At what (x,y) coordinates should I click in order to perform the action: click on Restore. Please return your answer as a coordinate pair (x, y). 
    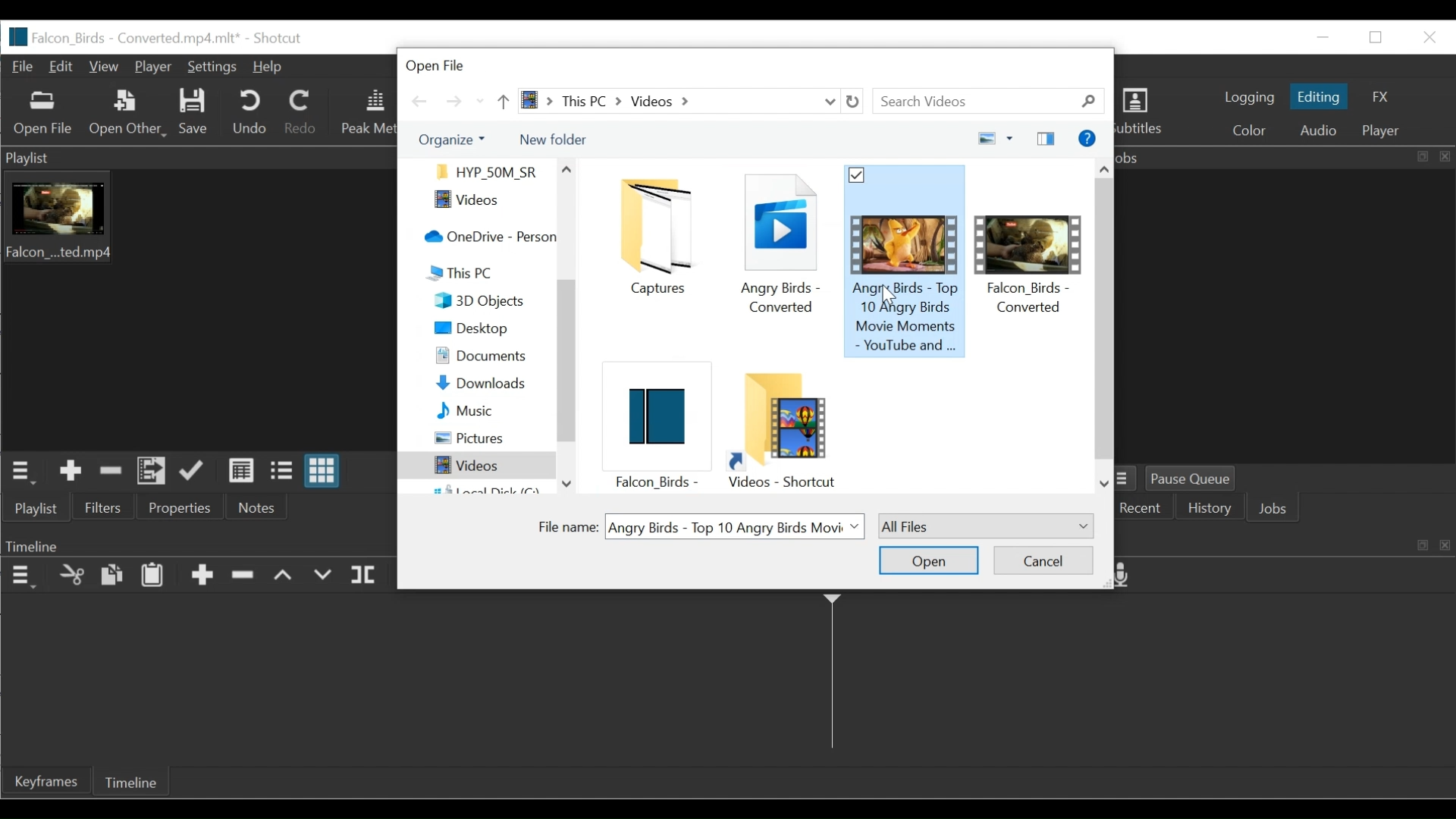
    Looking at the image, I should click on (1377, 38).